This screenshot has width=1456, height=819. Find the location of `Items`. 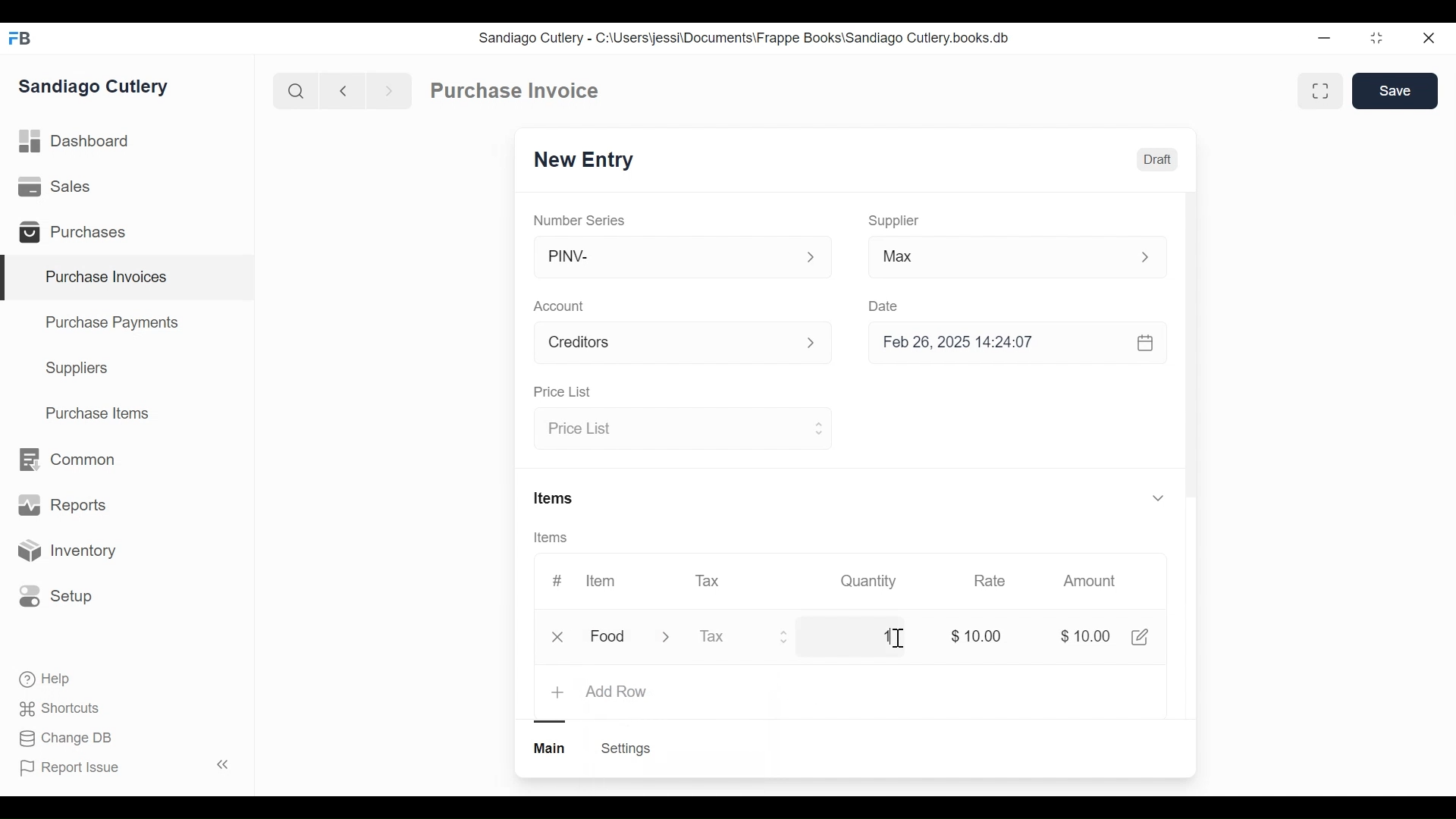

Items is located at coordinates (555, 500).